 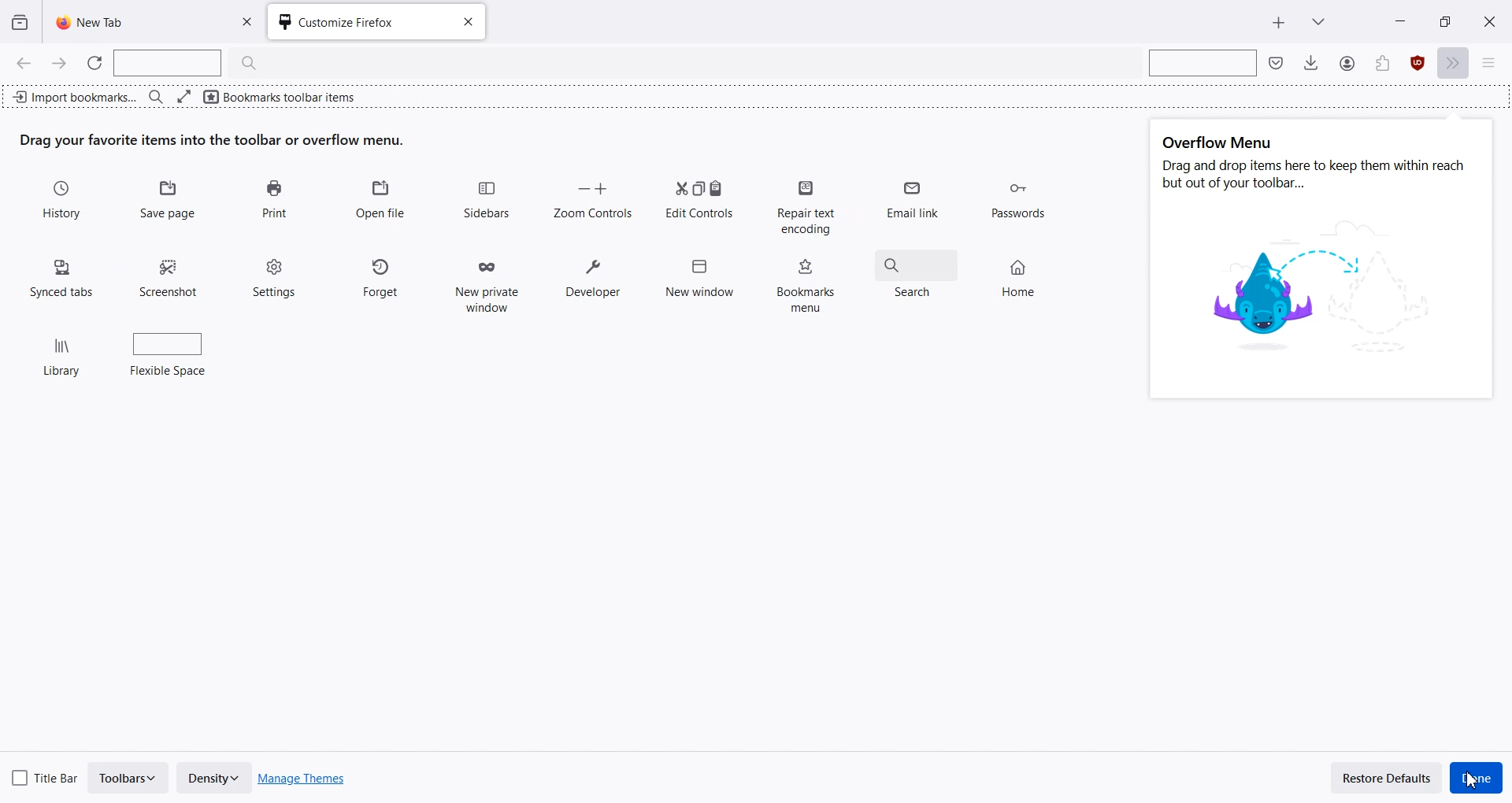 I want to click on History, so click(x=64, y=201).